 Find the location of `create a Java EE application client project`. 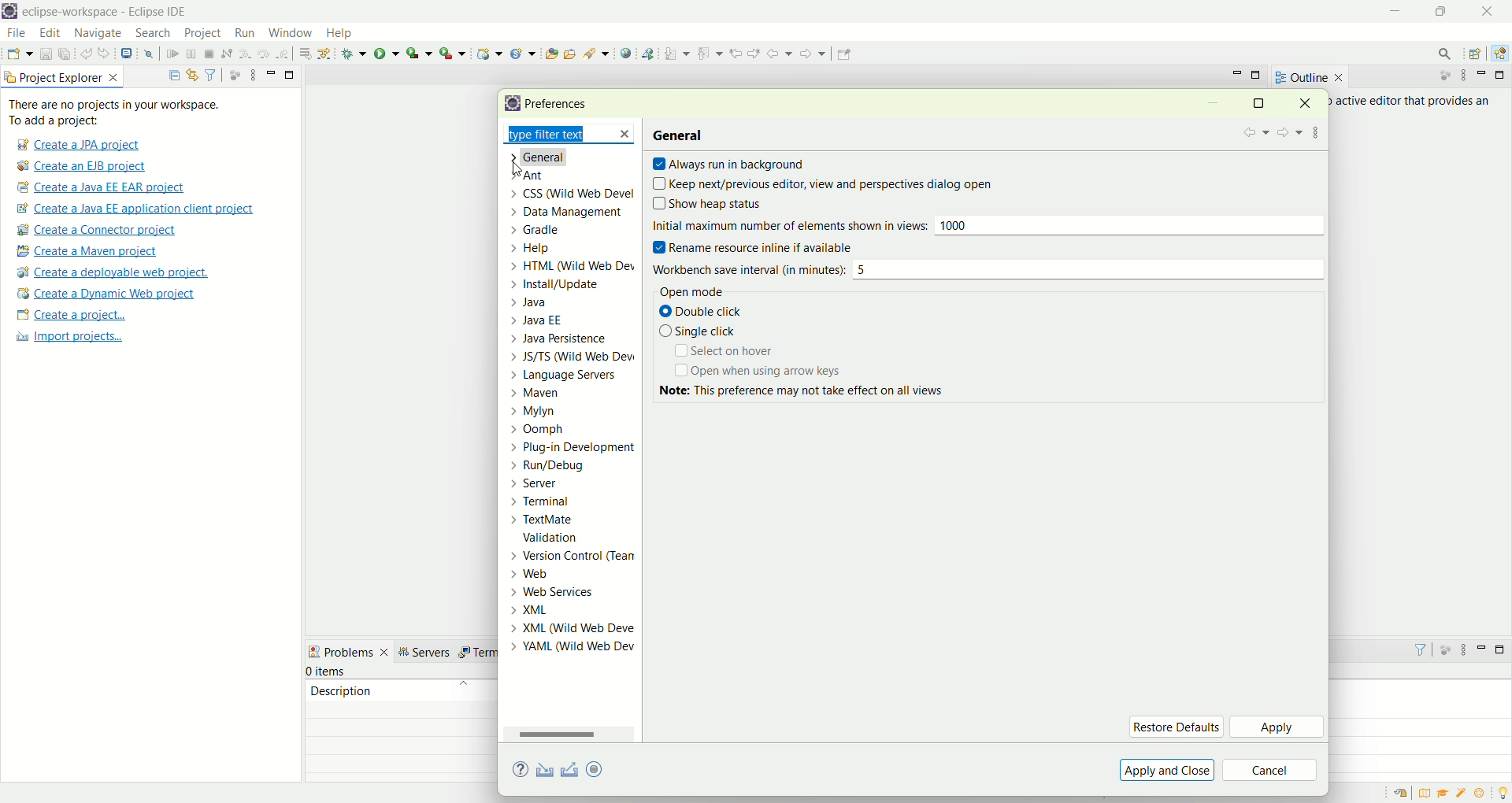

create a Java EE application client project is located at coordinates (135, 211).